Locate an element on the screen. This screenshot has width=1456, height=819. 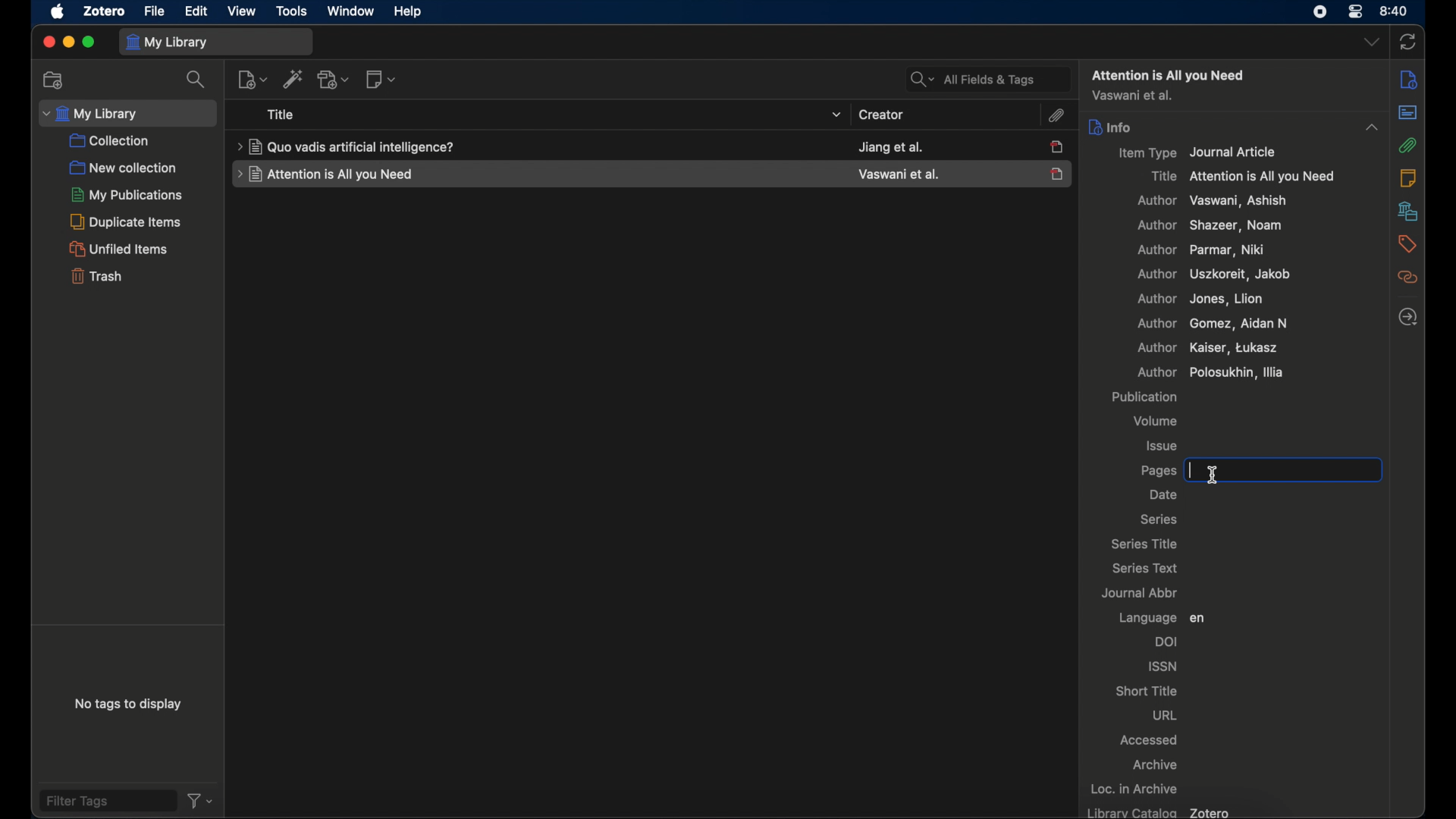
screen recorder is located at coordinates (1322, 11).